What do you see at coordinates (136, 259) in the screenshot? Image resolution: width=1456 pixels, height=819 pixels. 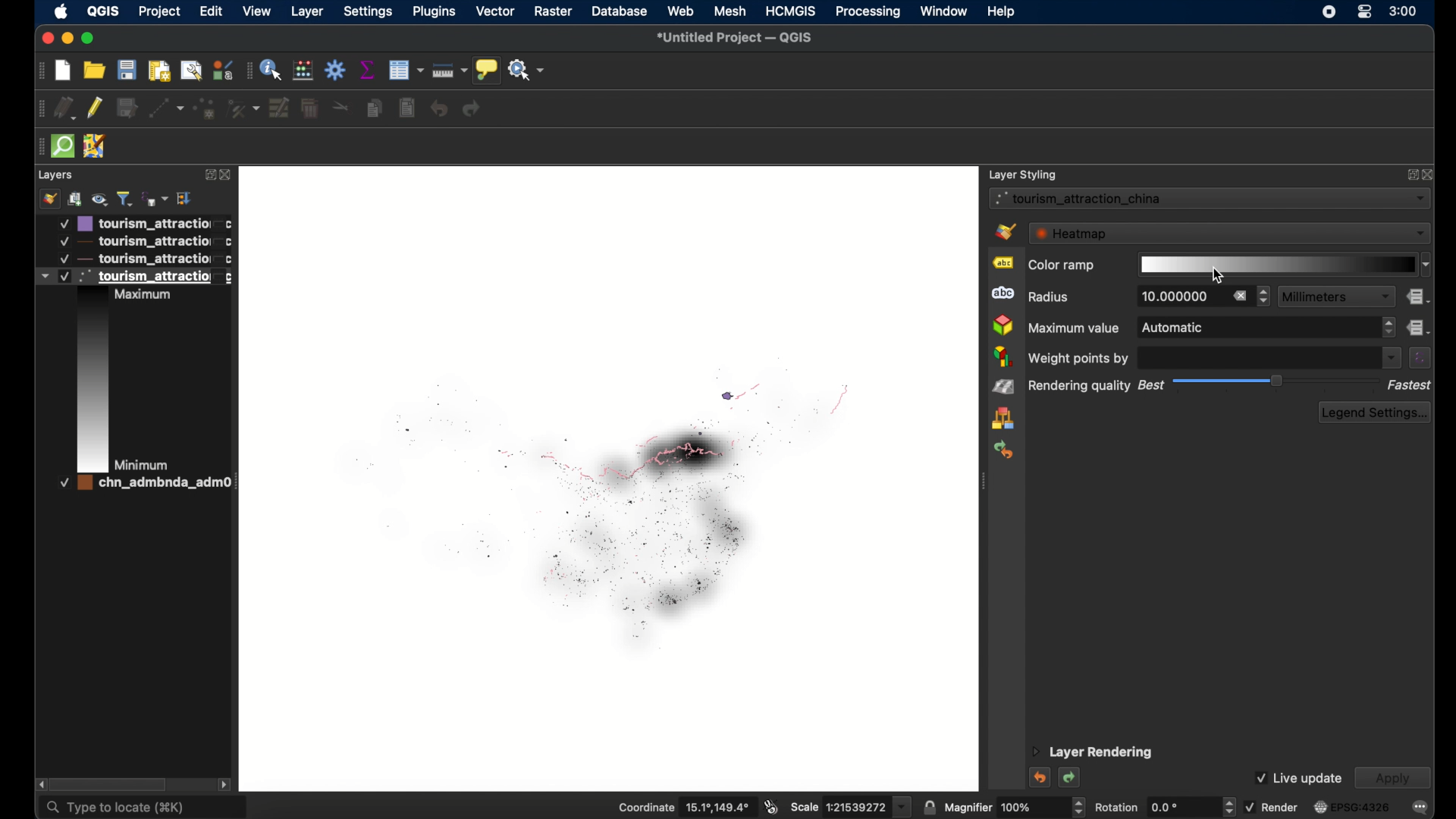 I see `layer 3` at bounding box center [136, 259].